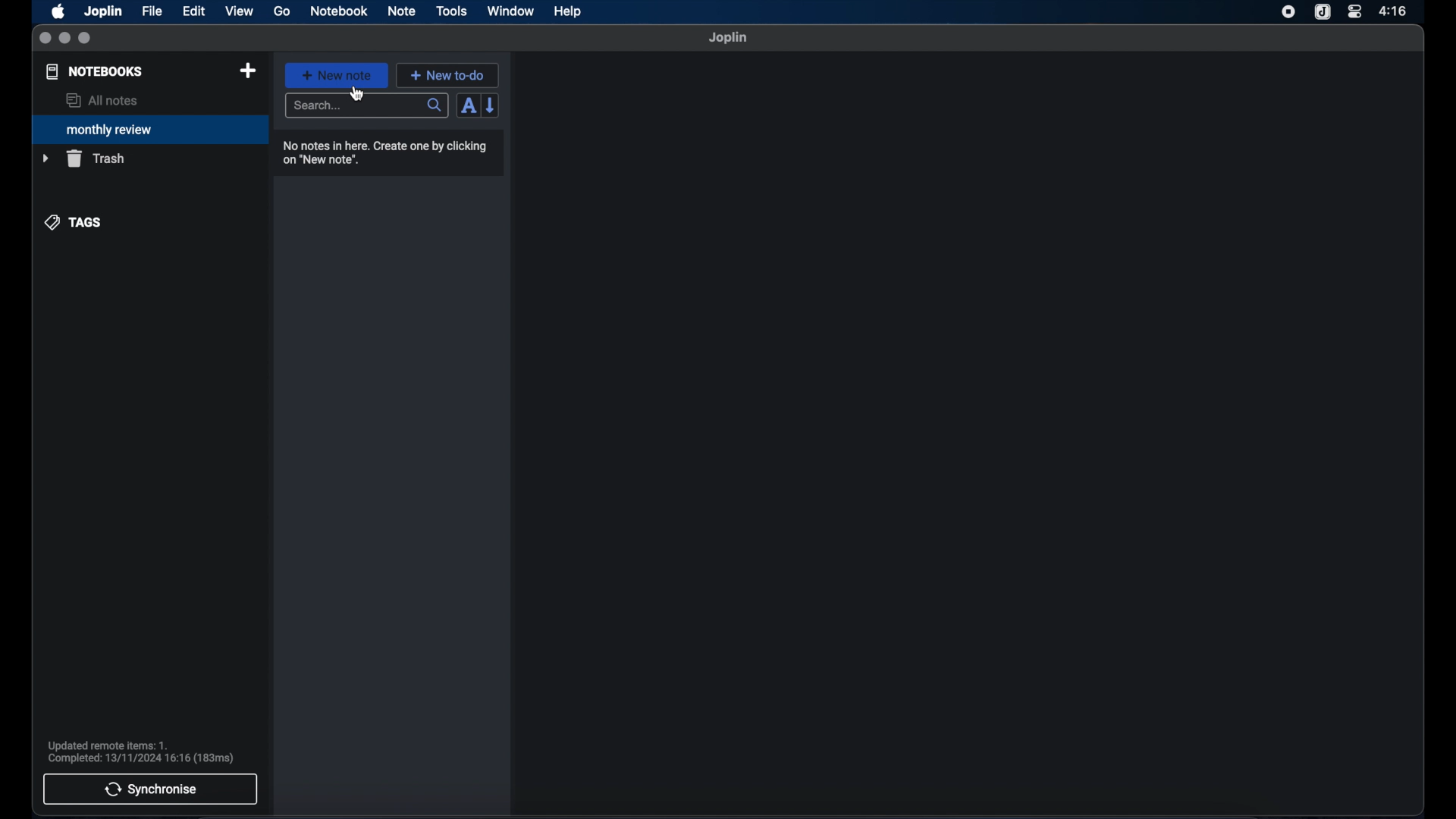  What do you see at coordinates (491, 105) in the screenshot?
I see `reverse sort order` at bounding box center [491, 105].